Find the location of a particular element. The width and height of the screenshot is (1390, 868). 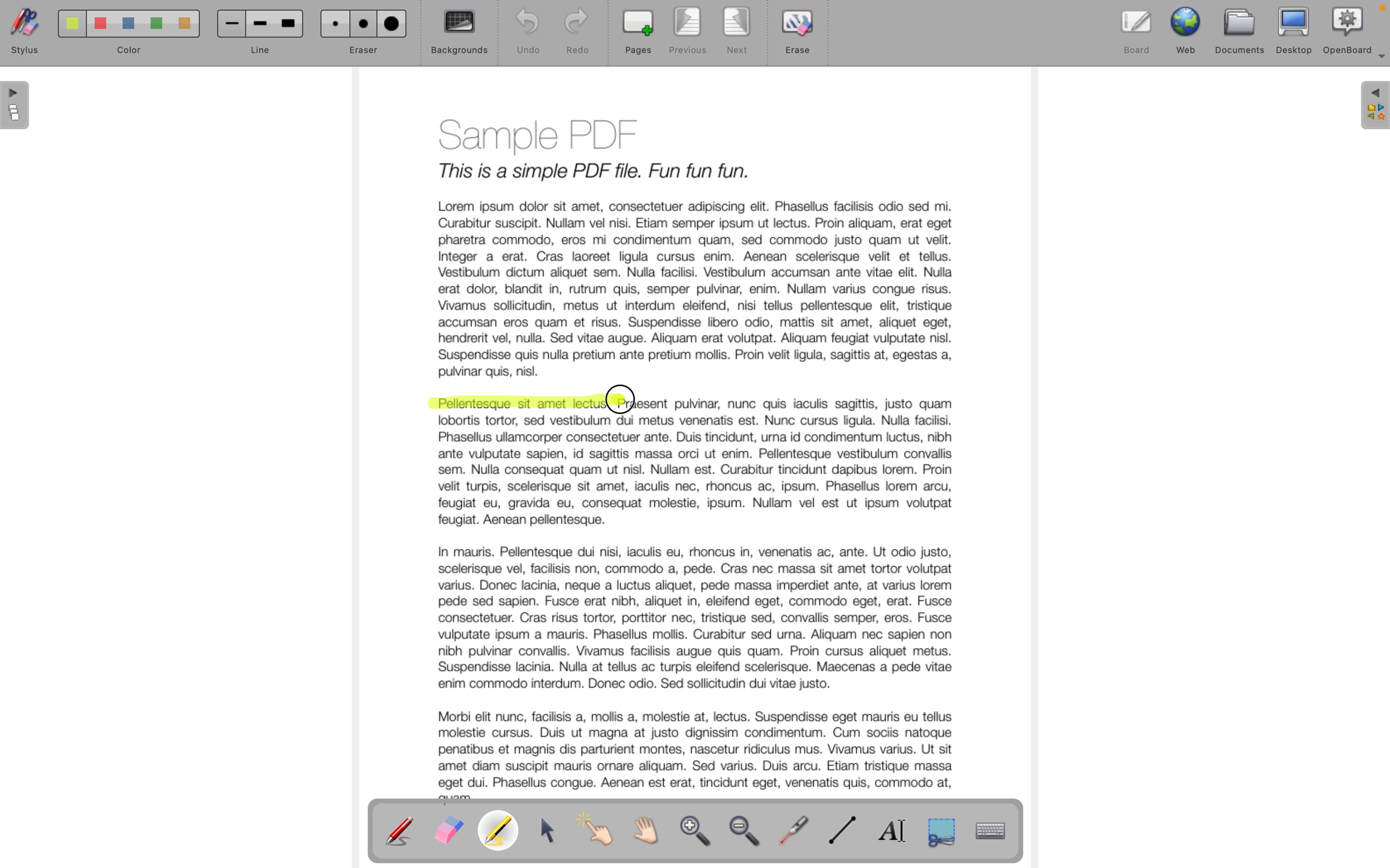

pages is located at coordinates (638, 33).